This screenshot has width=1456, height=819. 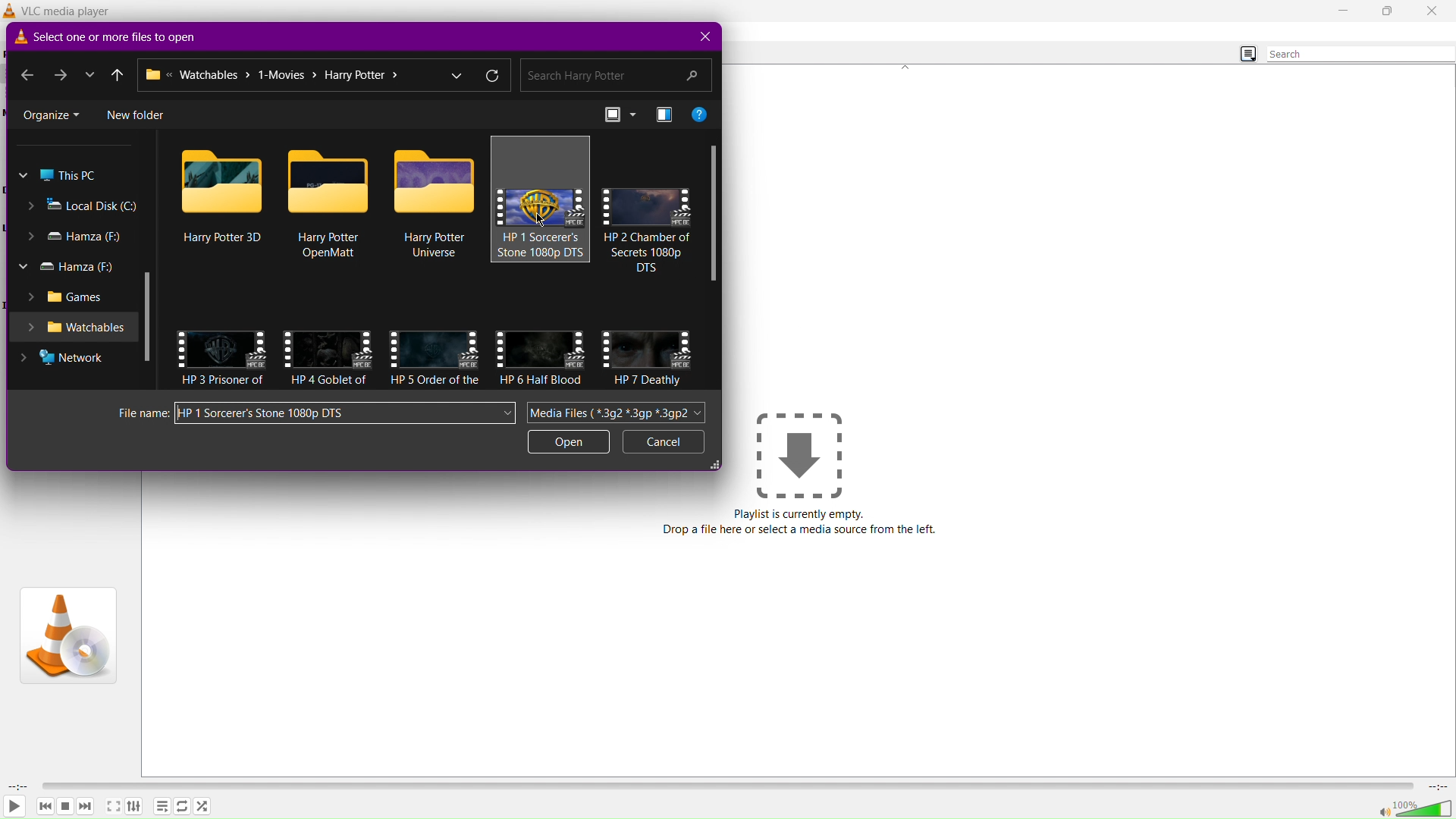 What do you see at coordinates (62, 357) in the screenshot?
I see `network` at bounding box center [62, 357].